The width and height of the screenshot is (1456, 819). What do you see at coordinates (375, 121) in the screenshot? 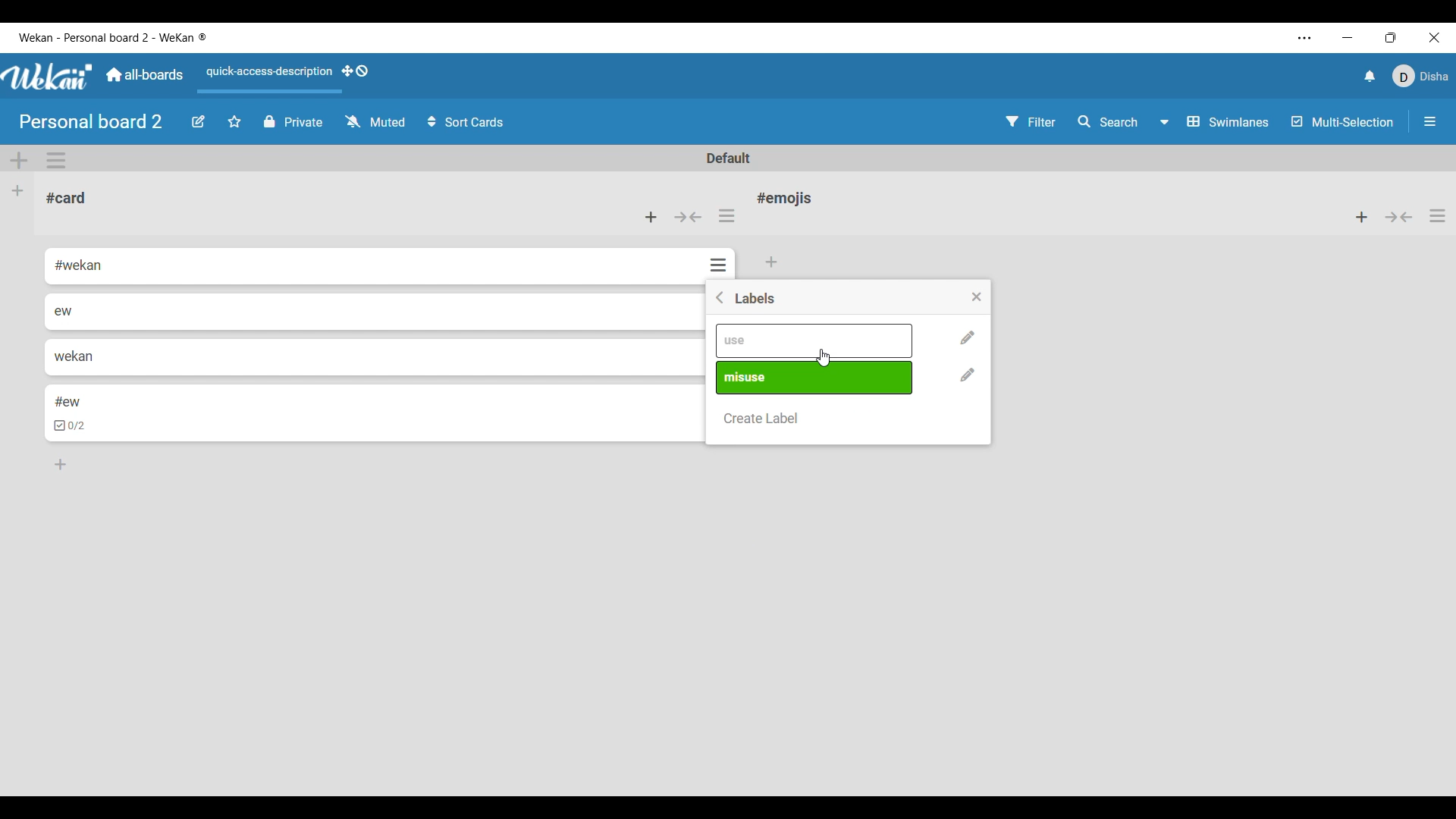
I see `Watch options` at bounding box center [375, 121].